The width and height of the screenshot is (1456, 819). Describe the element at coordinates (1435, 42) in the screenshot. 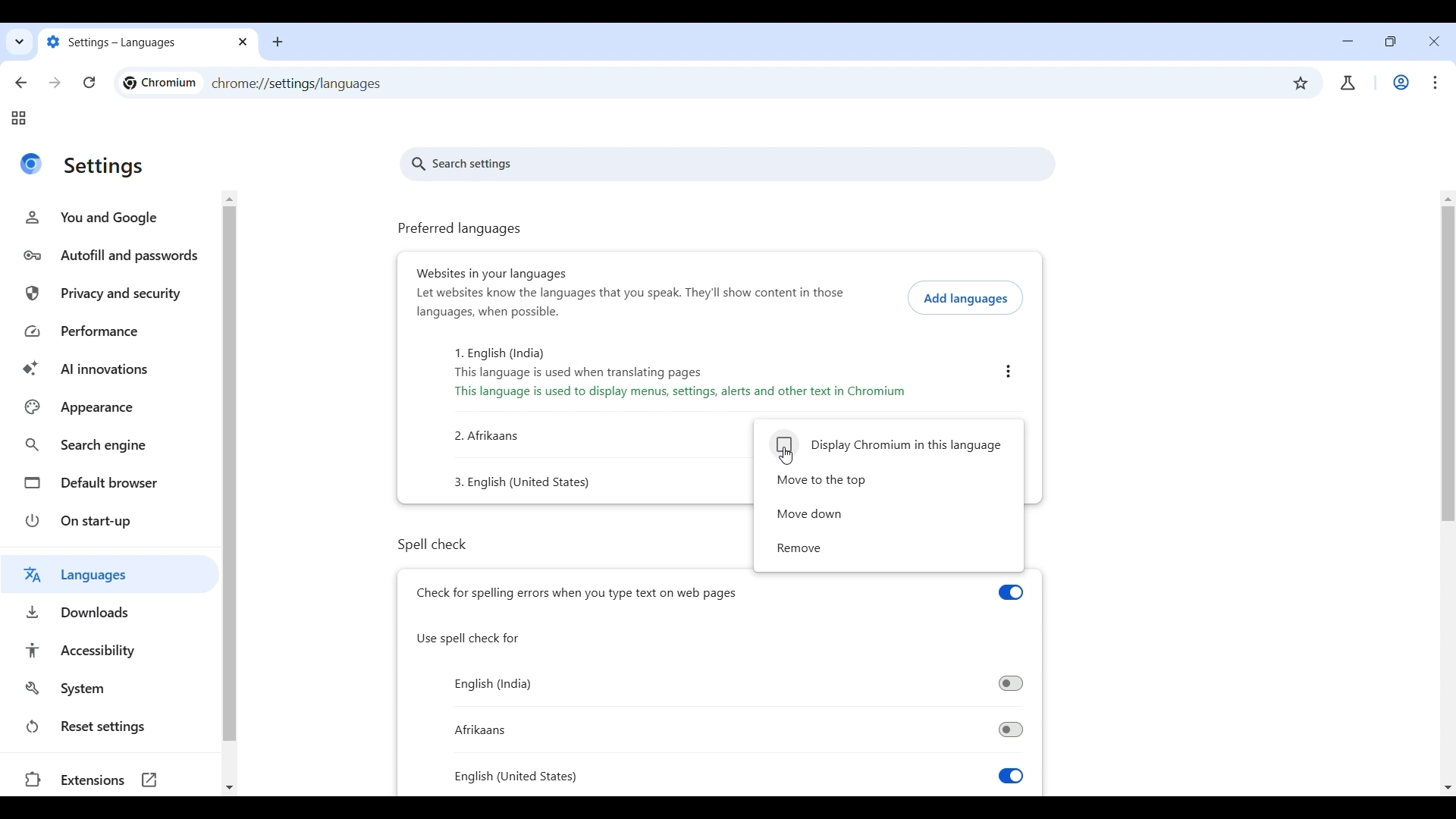

I see `Close interface` at that location.